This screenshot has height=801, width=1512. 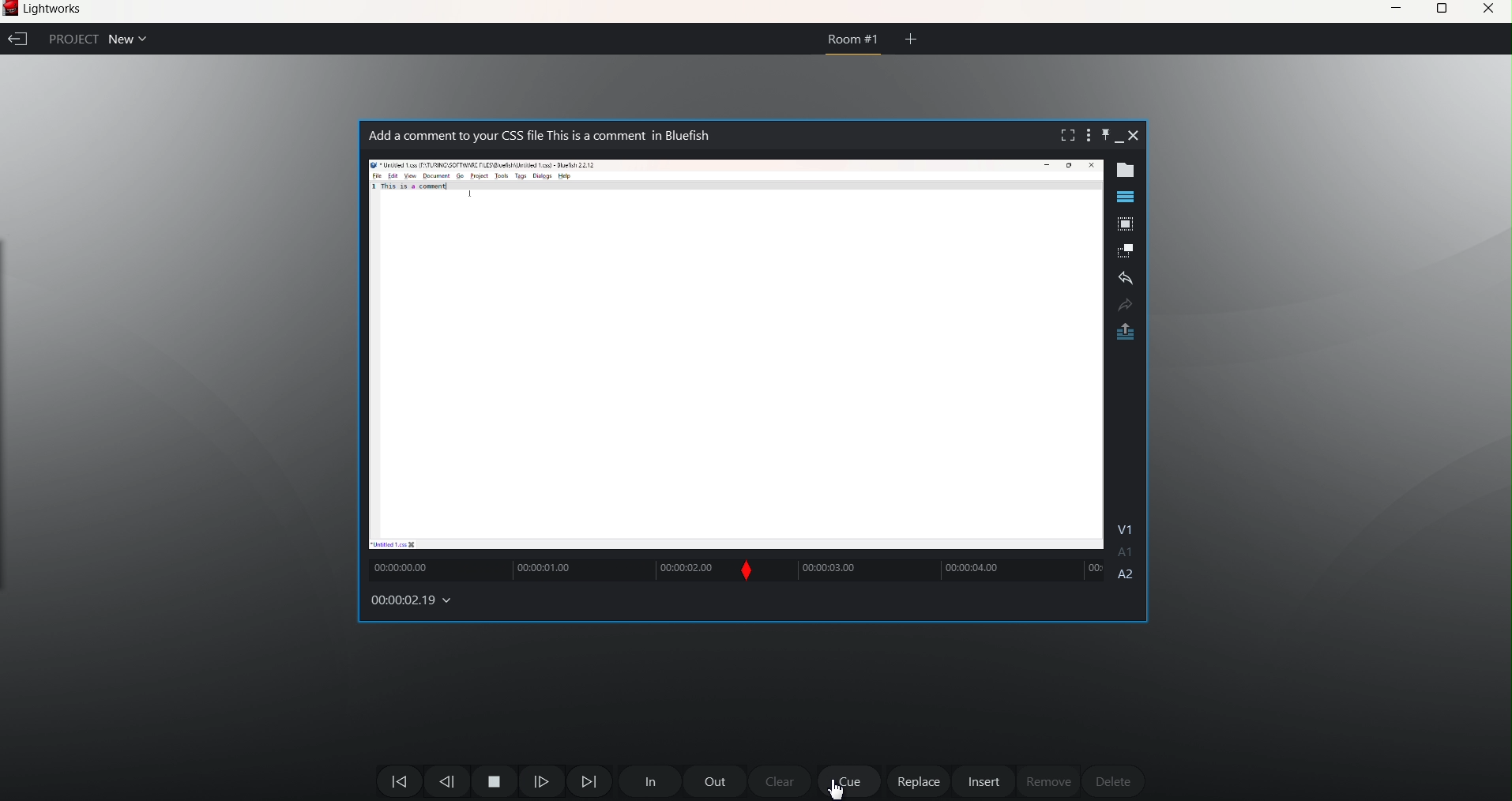 What do you see at coordinates (1126, 333) in the screenshot?
I see `pop out original` at bounding box center [1126, 333].